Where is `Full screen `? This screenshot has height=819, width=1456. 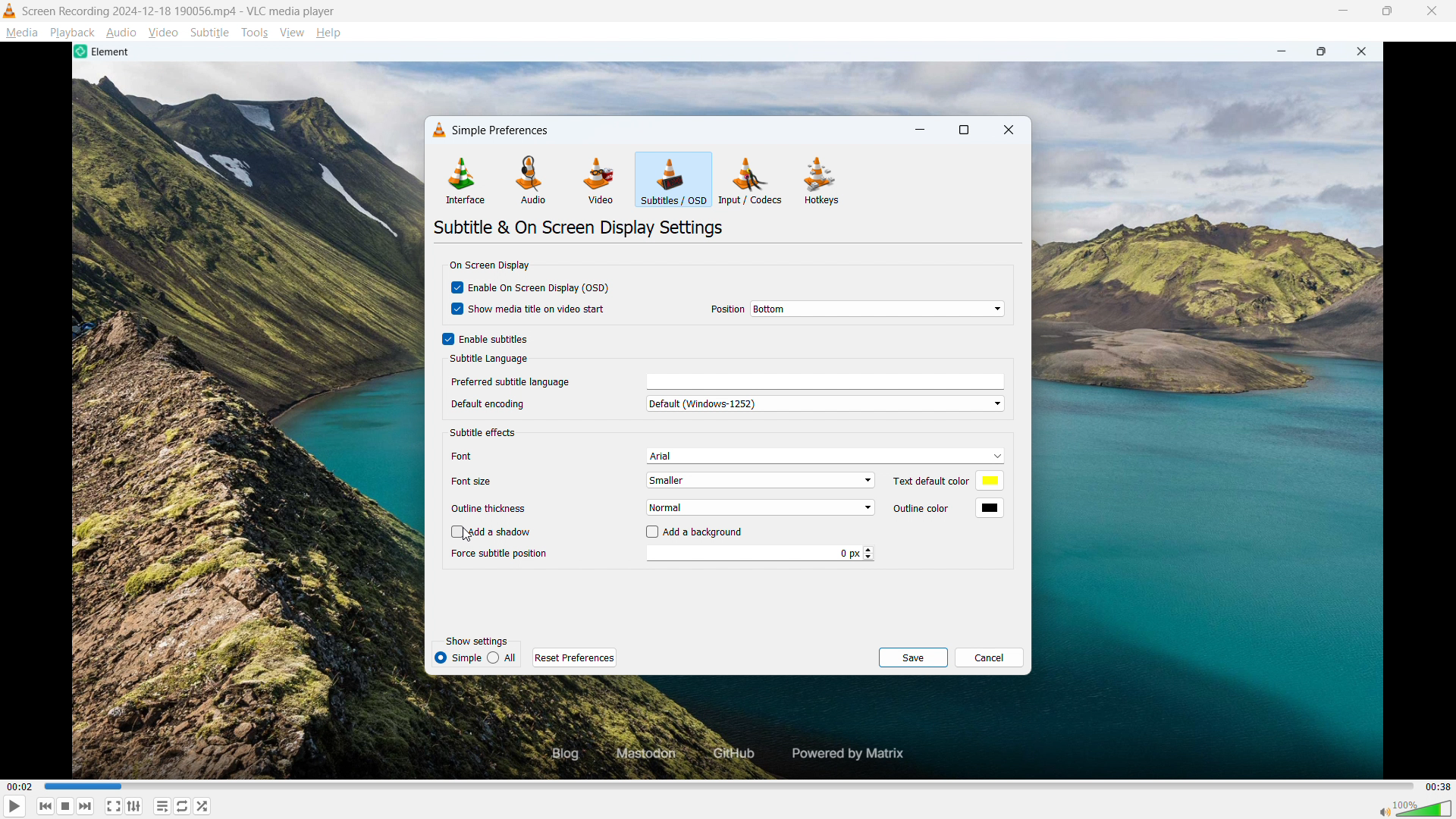 Full screen  is located at coordinates (113, 805).